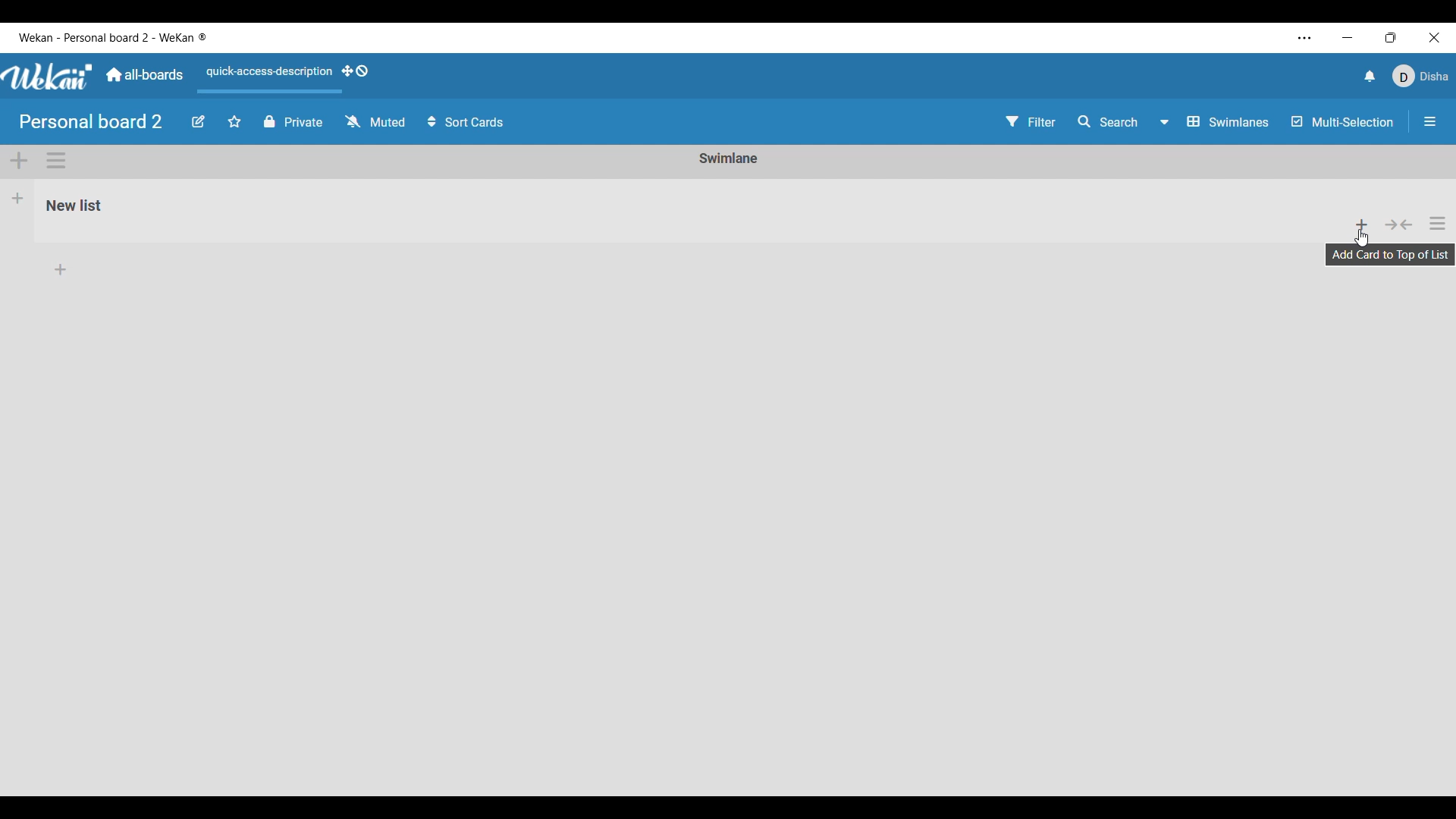 This screenshot has height=819, width=1456. Describe the element at coordinates (1031, 121) in the screenshot. I see `Filter` at that location.